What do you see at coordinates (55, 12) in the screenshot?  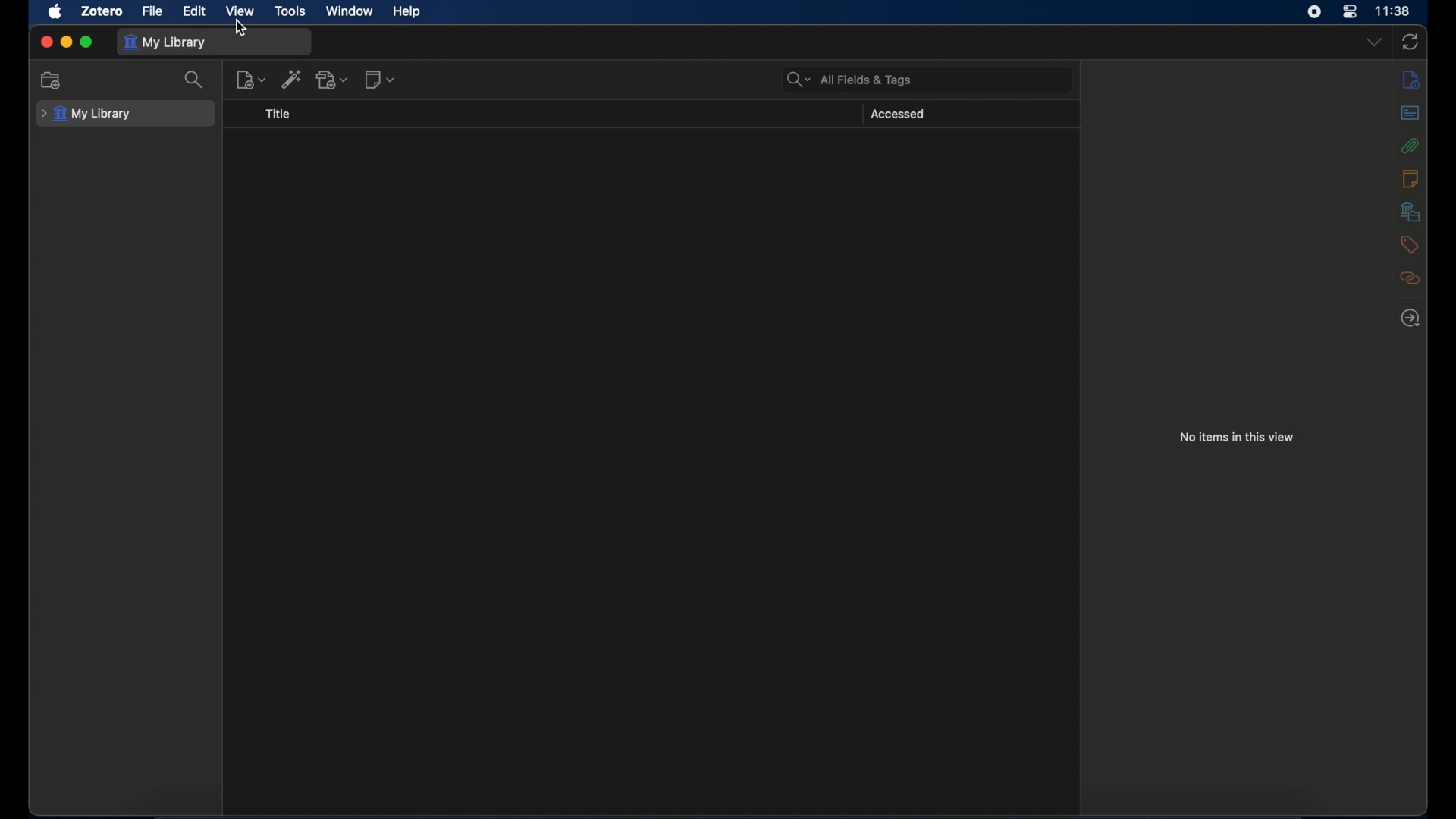 I see `apple` at bounding box center [55, 12].